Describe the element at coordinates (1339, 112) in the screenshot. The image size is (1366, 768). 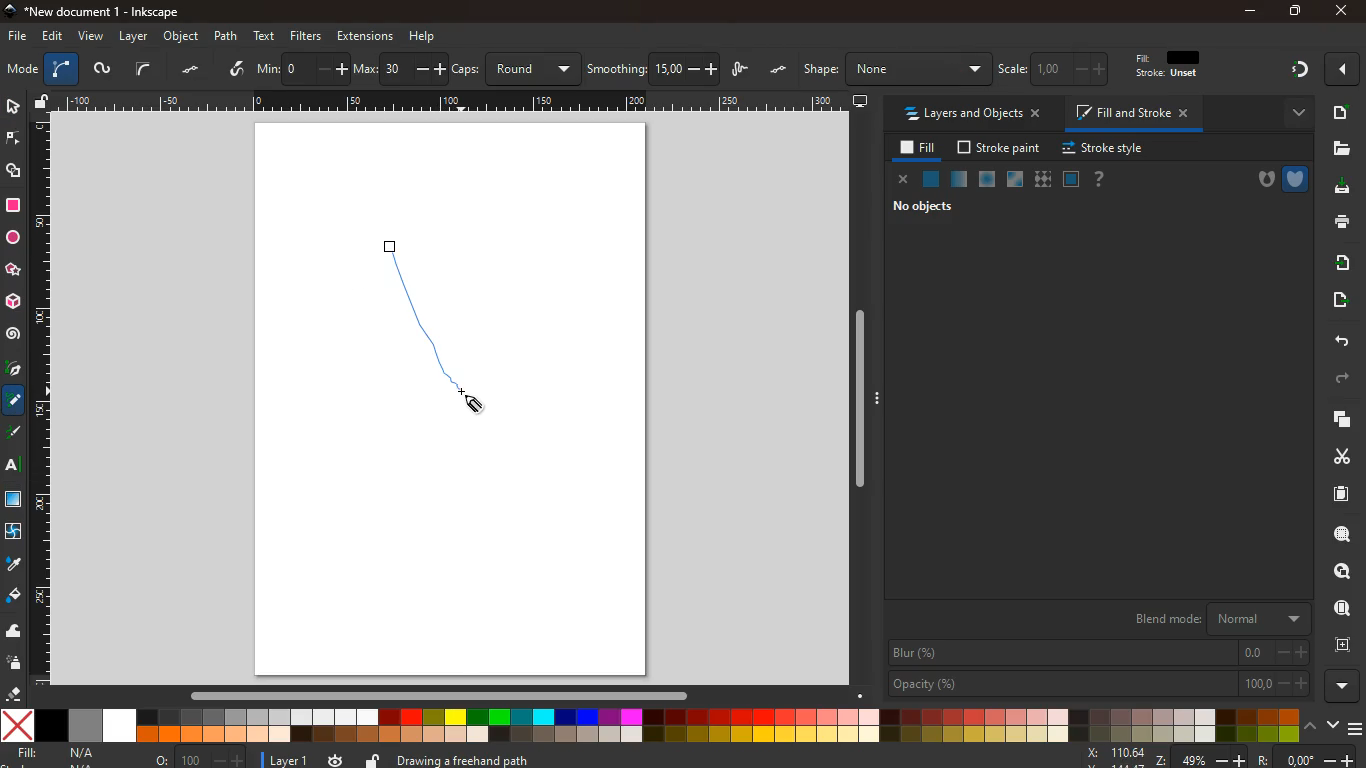
I see `document` at that location.